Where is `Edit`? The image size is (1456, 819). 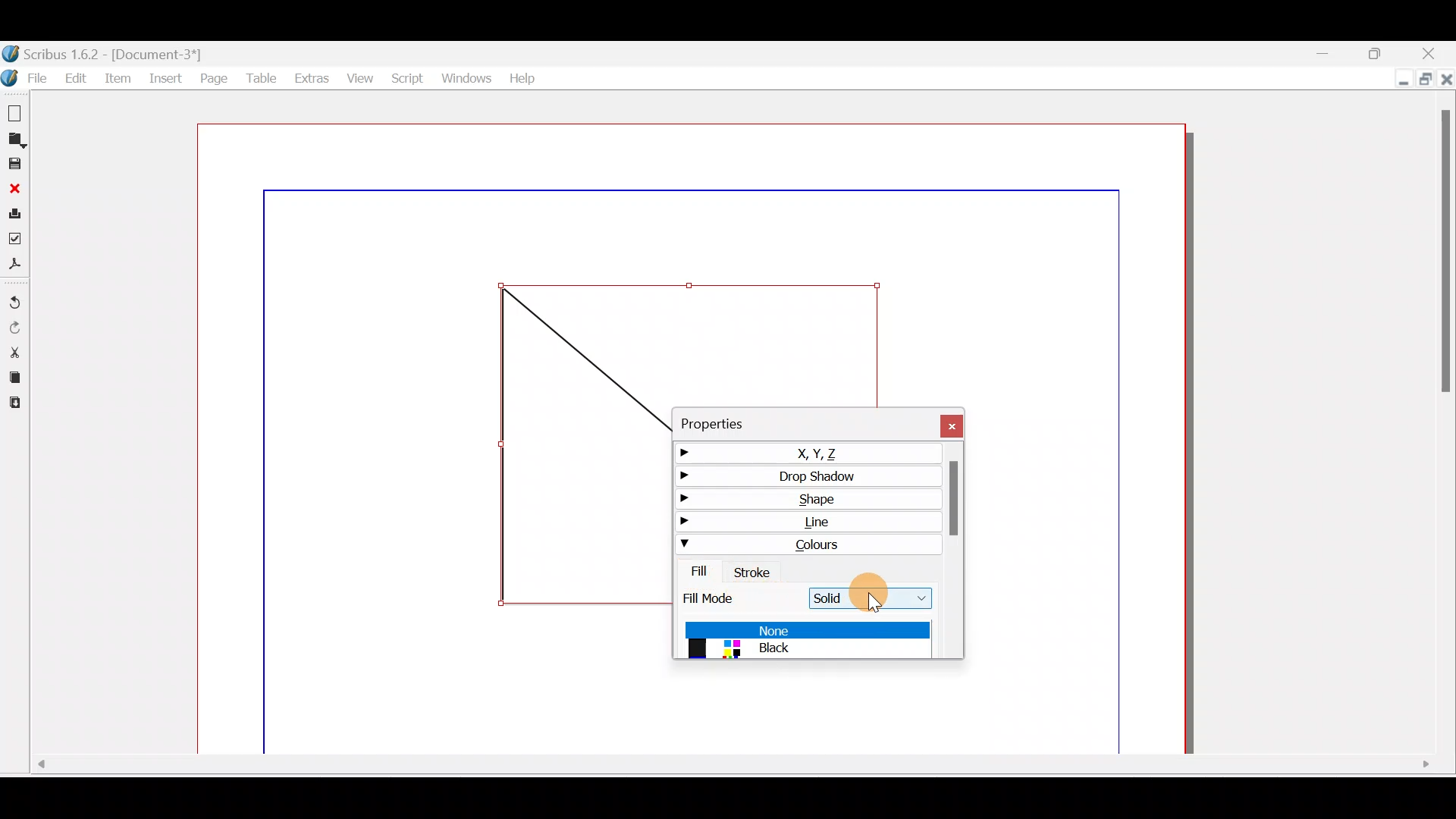 Edit is located at coordinates (74, 77).